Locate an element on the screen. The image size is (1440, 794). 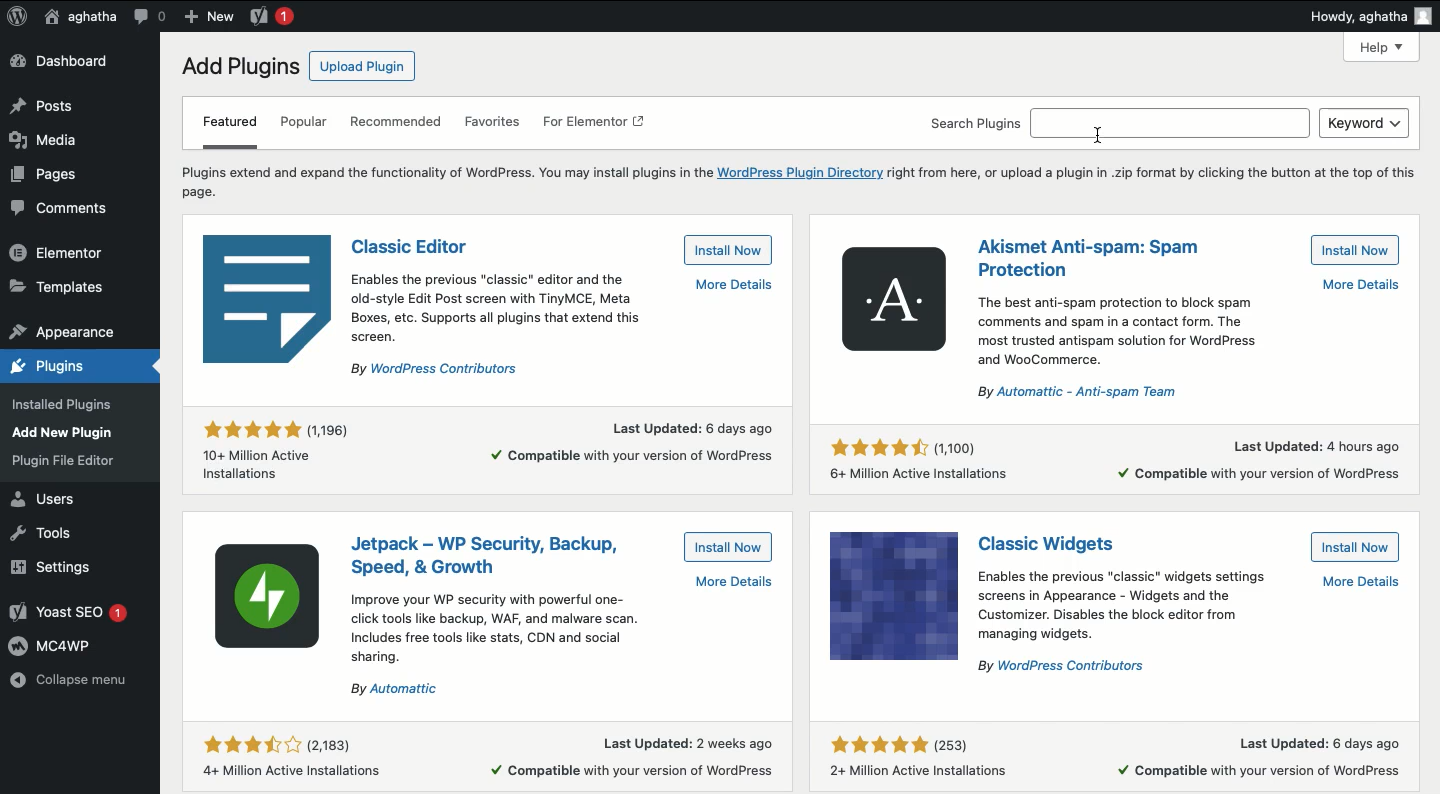
Elementor is located at coordinates (61, 252).